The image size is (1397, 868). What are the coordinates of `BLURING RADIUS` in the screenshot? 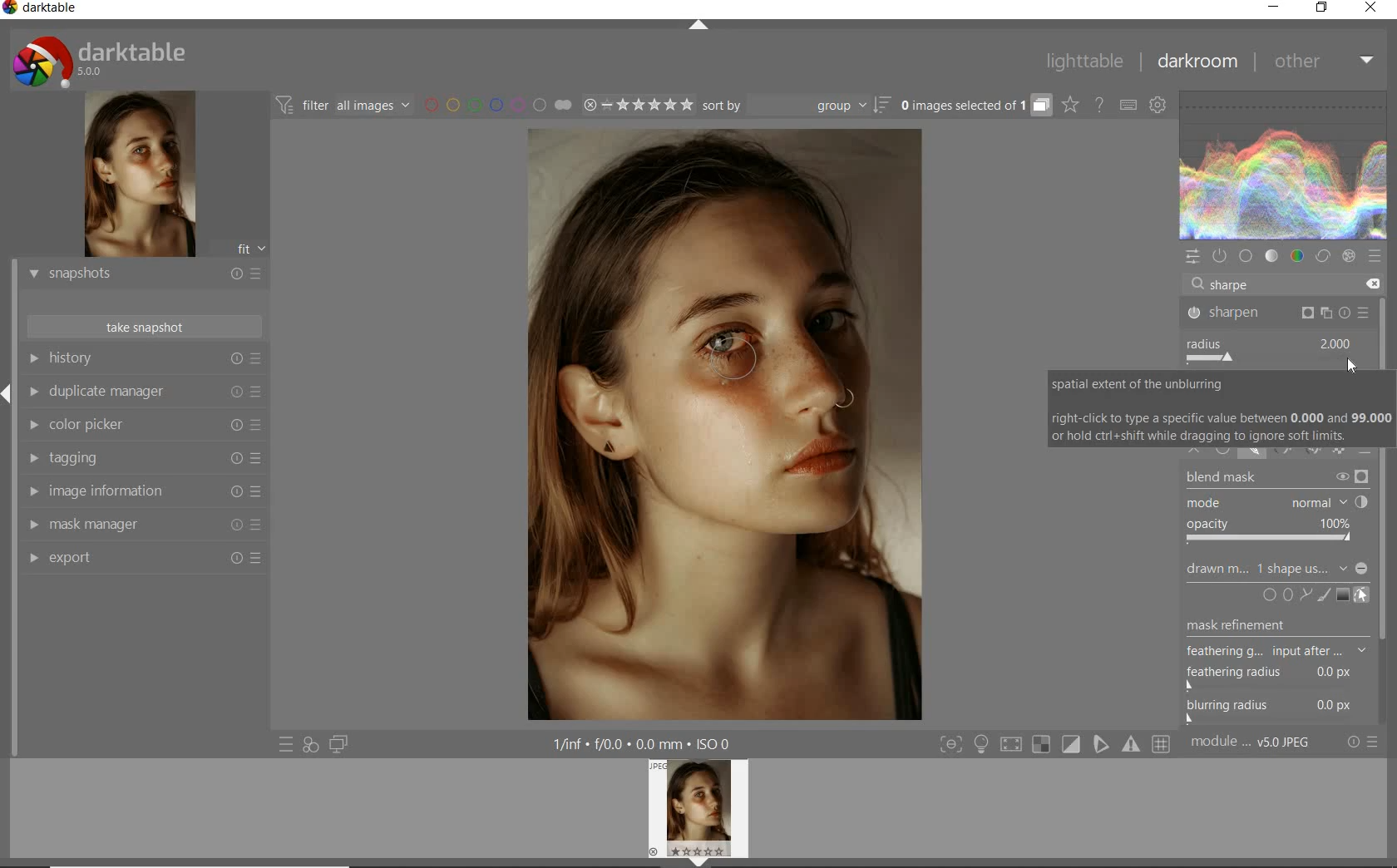 It's located at (1279, 708).